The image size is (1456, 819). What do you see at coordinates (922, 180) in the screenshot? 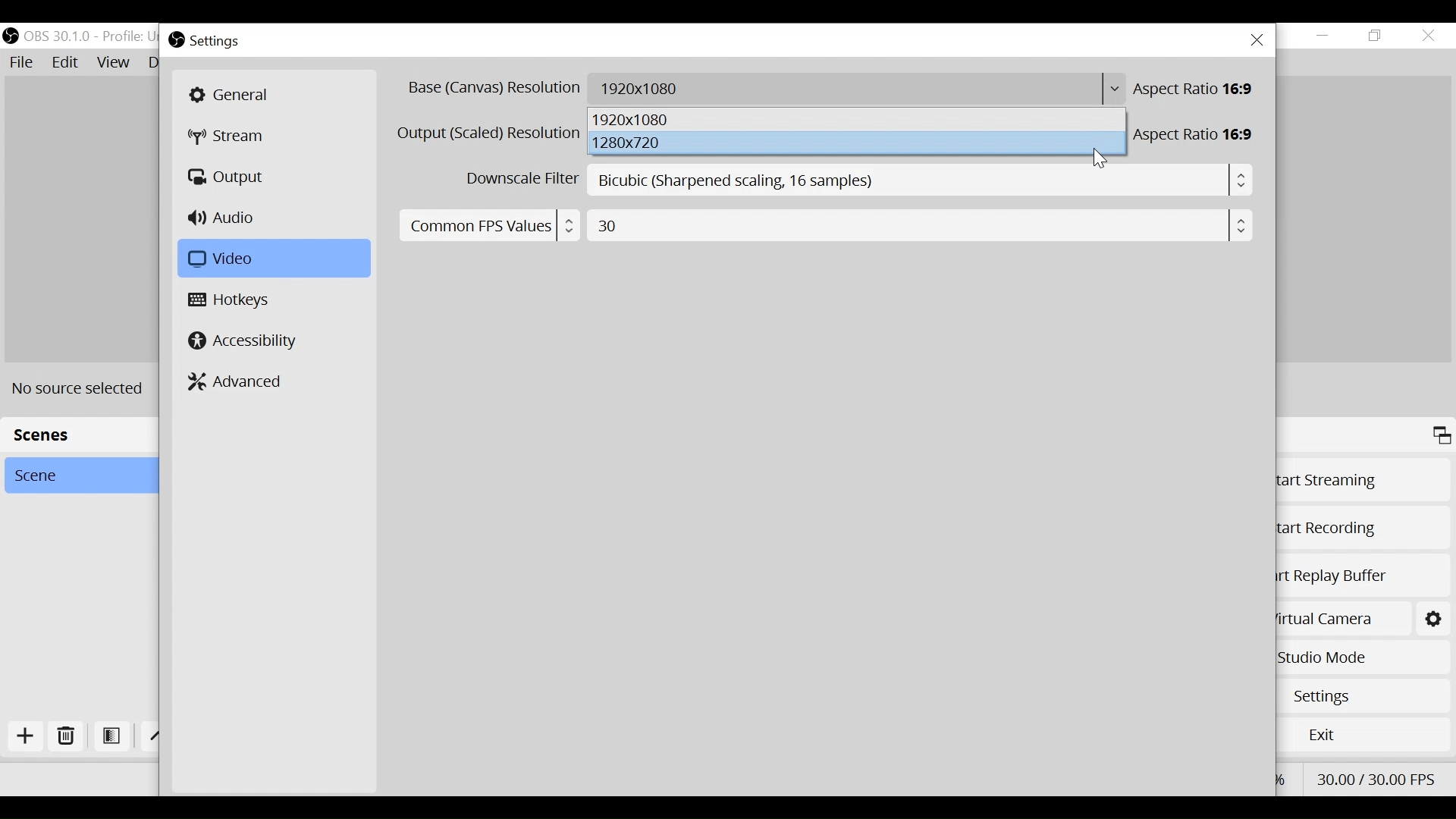
I see `Bicubic (sharpened scaling, 16 samples)` at bounding box center [922, 180].